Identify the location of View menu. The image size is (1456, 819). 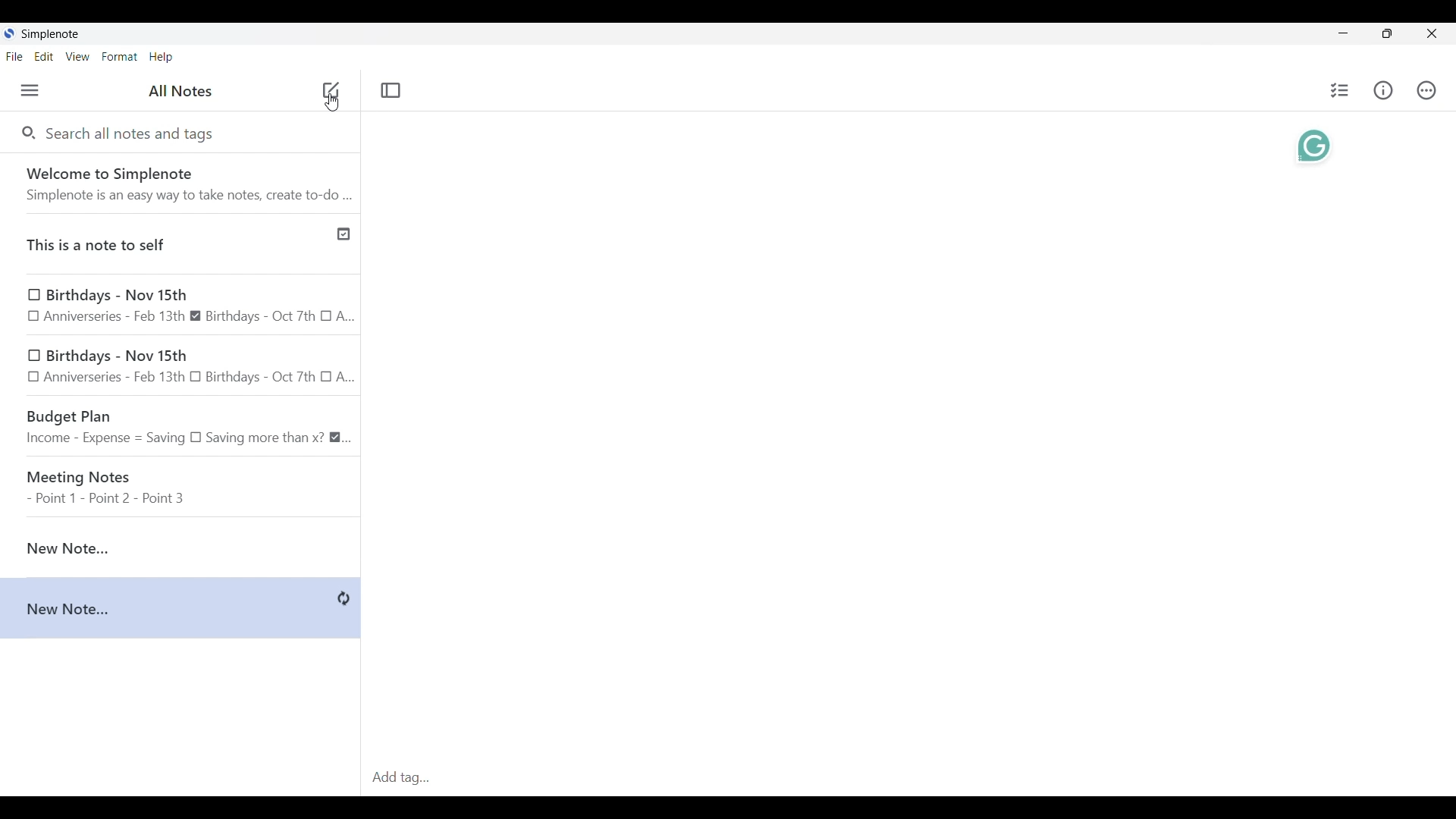
(78, 56).